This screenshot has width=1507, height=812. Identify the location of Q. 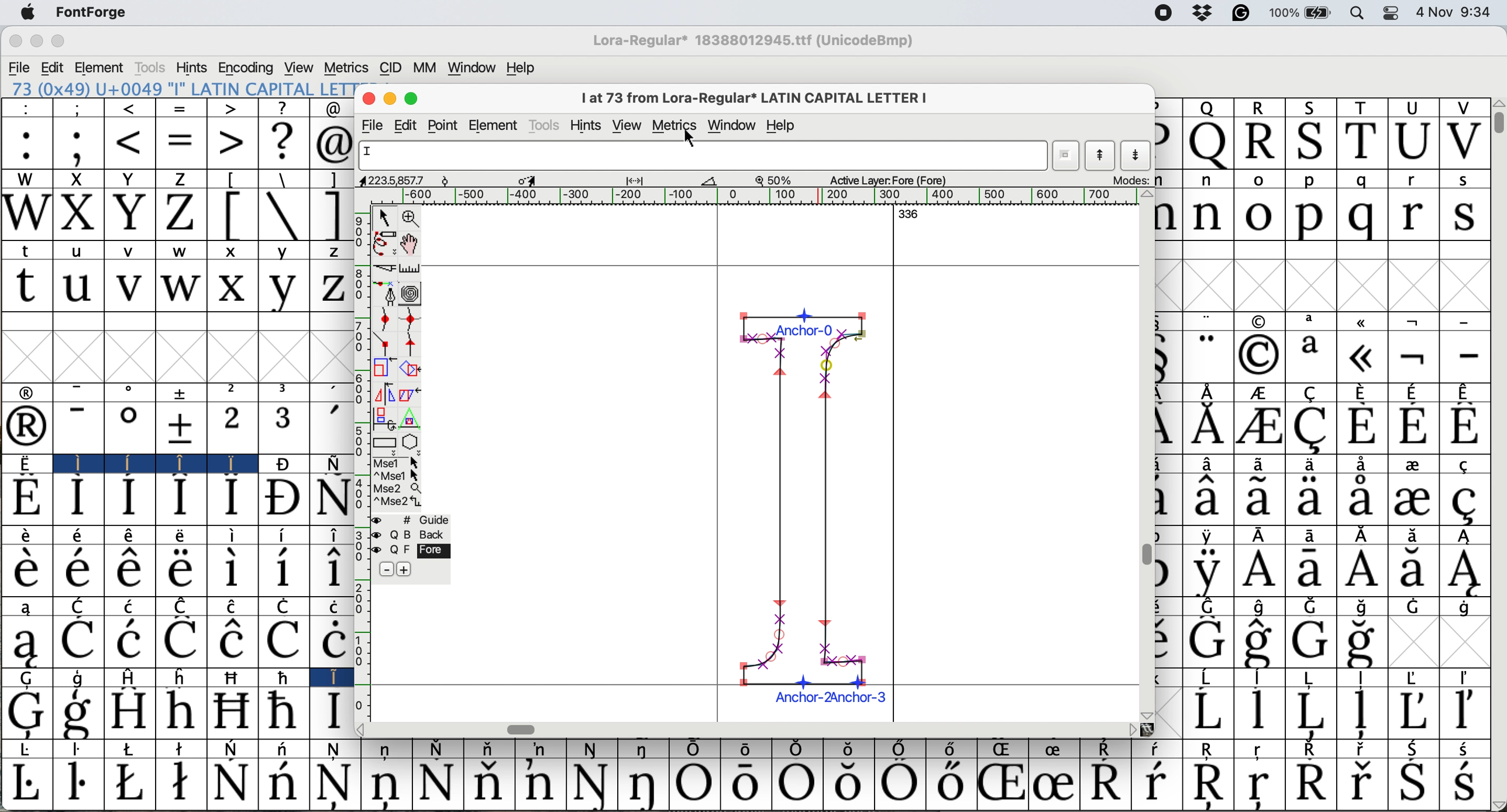
(1207, 107).